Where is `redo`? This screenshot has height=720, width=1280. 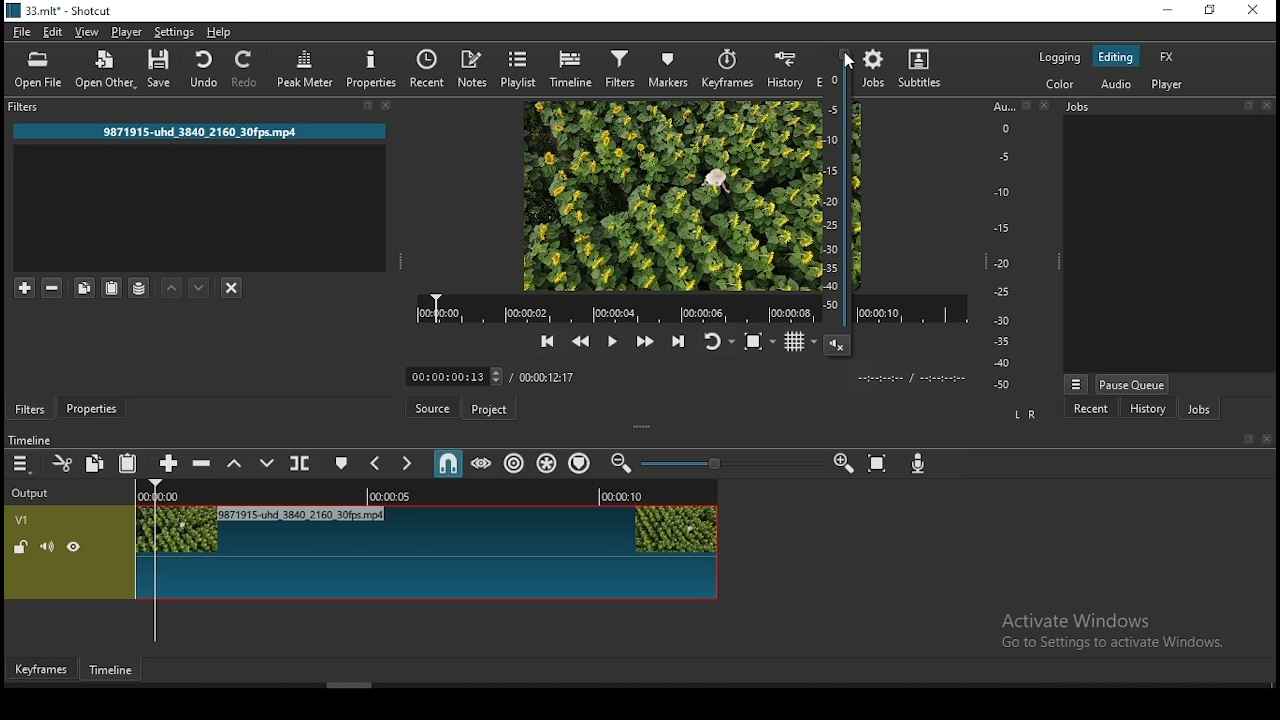
redo is located at coordinates (247, 70).